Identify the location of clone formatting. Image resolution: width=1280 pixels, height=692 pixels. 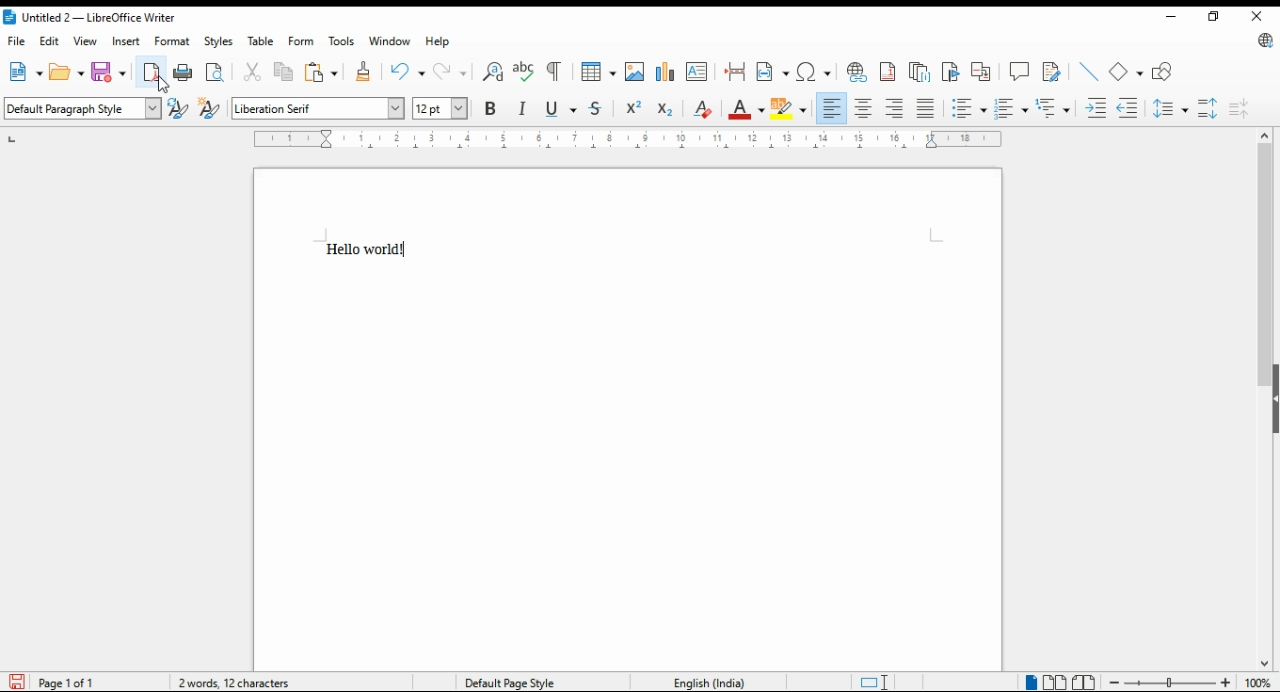
(365, 72).